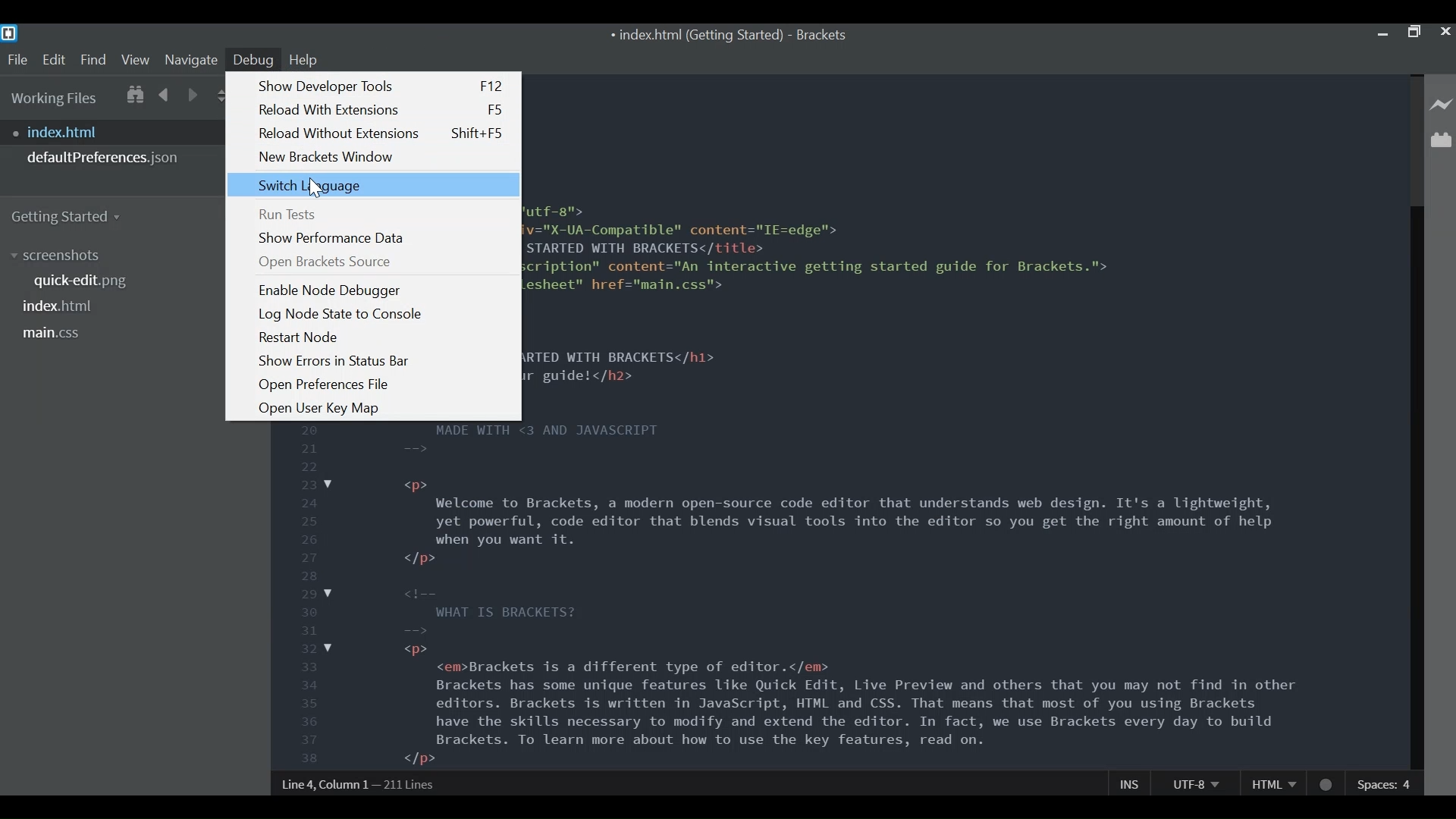 The height and width of the screenshot is (819, 1456). Describe the element at coordinates (922, 447) in the screenshot. I see `<!DOCTYPE html>
<html>
<head>
<meta charset="utf-8">
<meta http-equiv="X-UA-Compatible" content="IE=edge">
<title>GETTING STARTED WITH BRACKETS</title>
<meta name="description" content="An interactive getting started guide for Brackets.">
<link rel="stylesheet" href="main.css">
</head>
<body>
<h1>GETTING STARTED WITH BRACKETS</h1>
<h2>This is your guide!</h2>
MADE WITH <3 AND JAVASCRIPT
<p>
Welcome to Brackets, a modern open-source code editor that understands web design. It's a lightweight,
yet powerful, code editor that blends visual tools into the editor so you get the right amount of help
when you want it.
</p>
WHAT IS BRACKETS?
<p>
<em>Brackets is a different type of editor.</em>
Brackets has some unique features like Quick Edit, Live Preview and others that you may not find in other
editors. Brackets is written in JavaScript, HTML and CSS. That means that most of you using Brackets
have the skills necessary to modify and extend the editor. In fact, we use Brackets every day to build
Brackets. To learn more about how to use the key features, read on.
</p>` at that location.